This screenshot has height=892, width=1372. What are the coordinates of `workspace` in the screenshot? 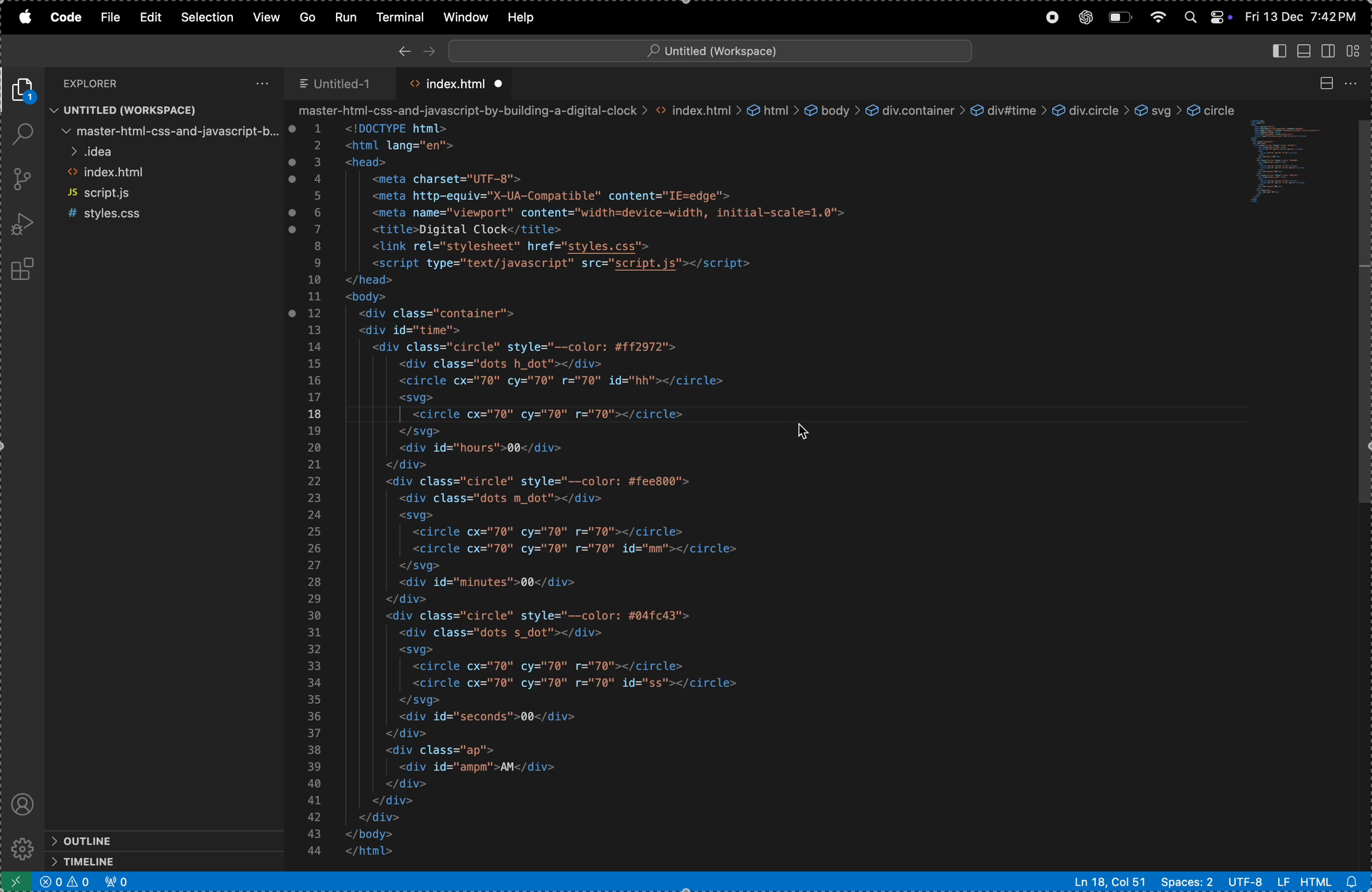 It's located at (164, 110).